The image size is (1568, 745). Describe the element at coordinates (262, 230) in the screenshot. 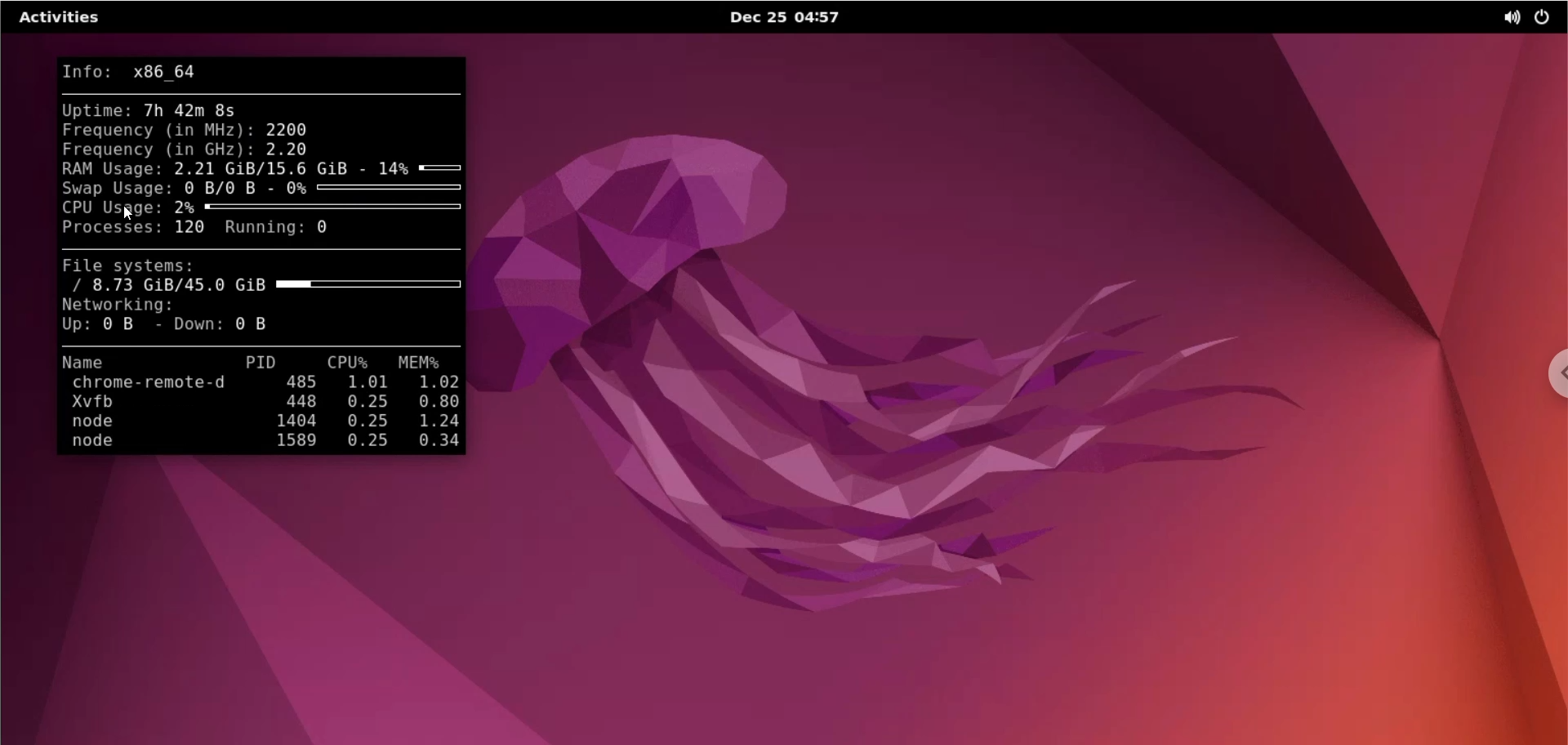

I see `running` at that location.